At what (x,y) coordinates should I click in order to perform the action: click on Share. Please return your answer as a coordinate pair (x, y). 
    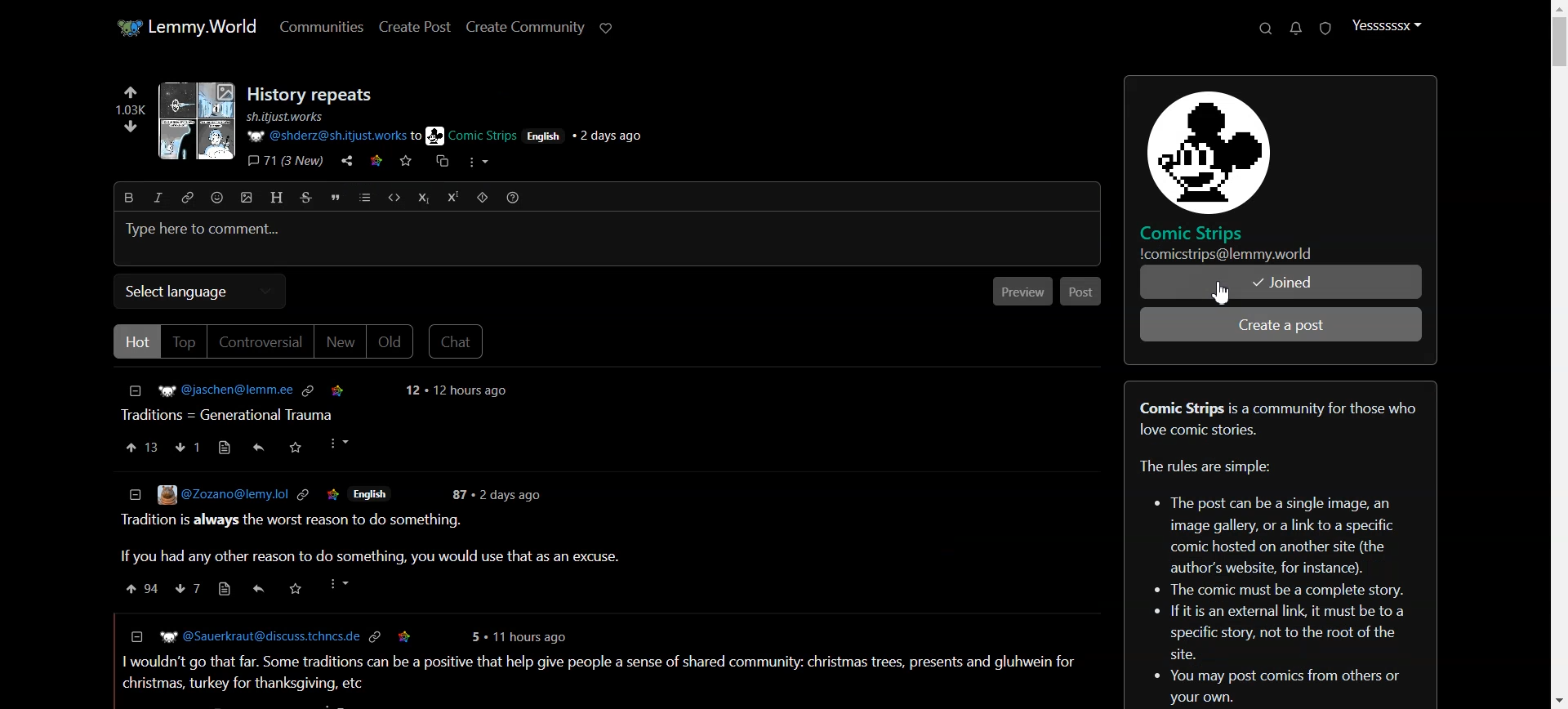
    Looking at the image, I should click on (255, 588).